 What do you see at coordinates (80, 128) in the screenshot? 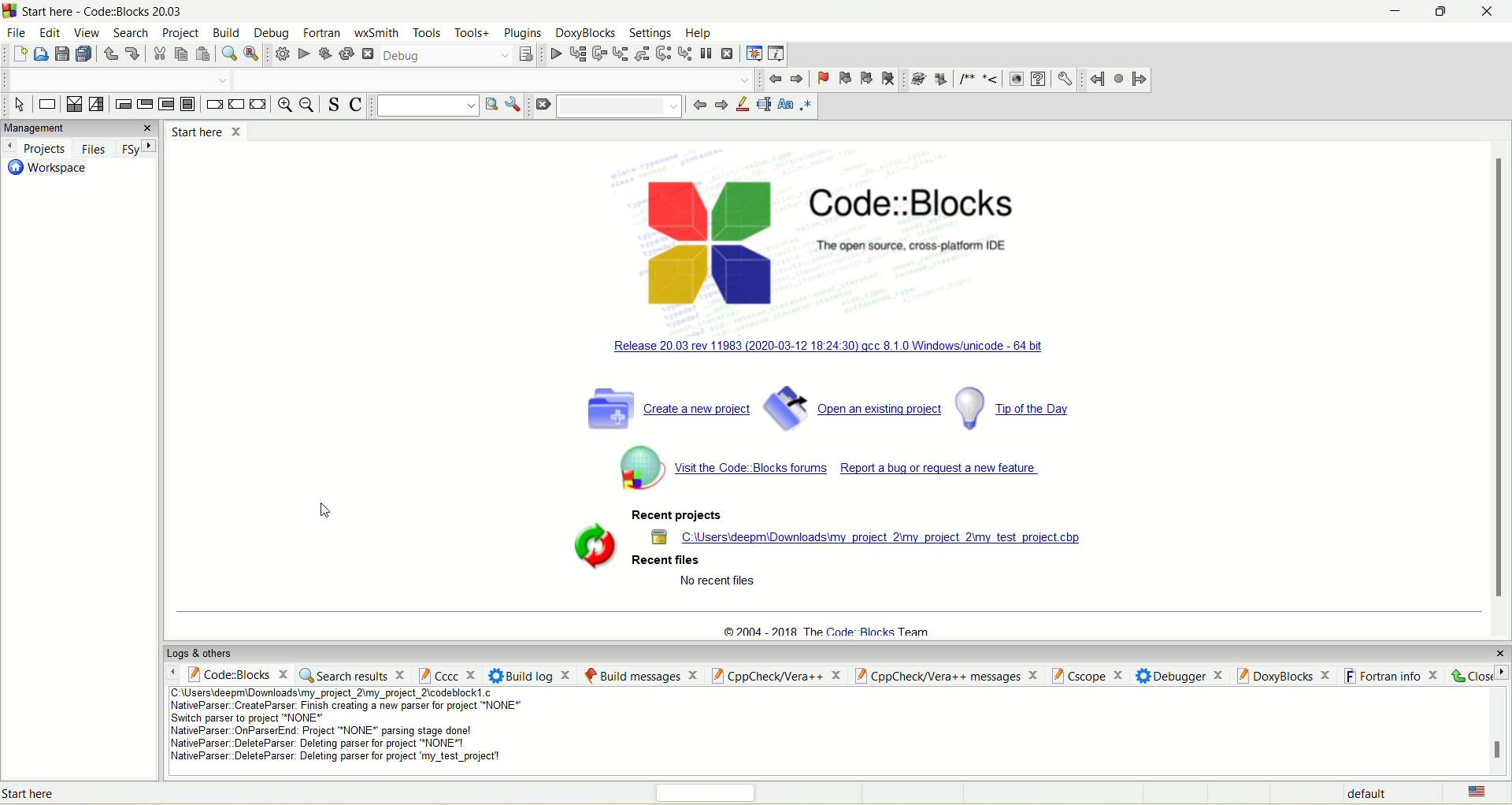
I see `managements` at bounding box center [80, 128].